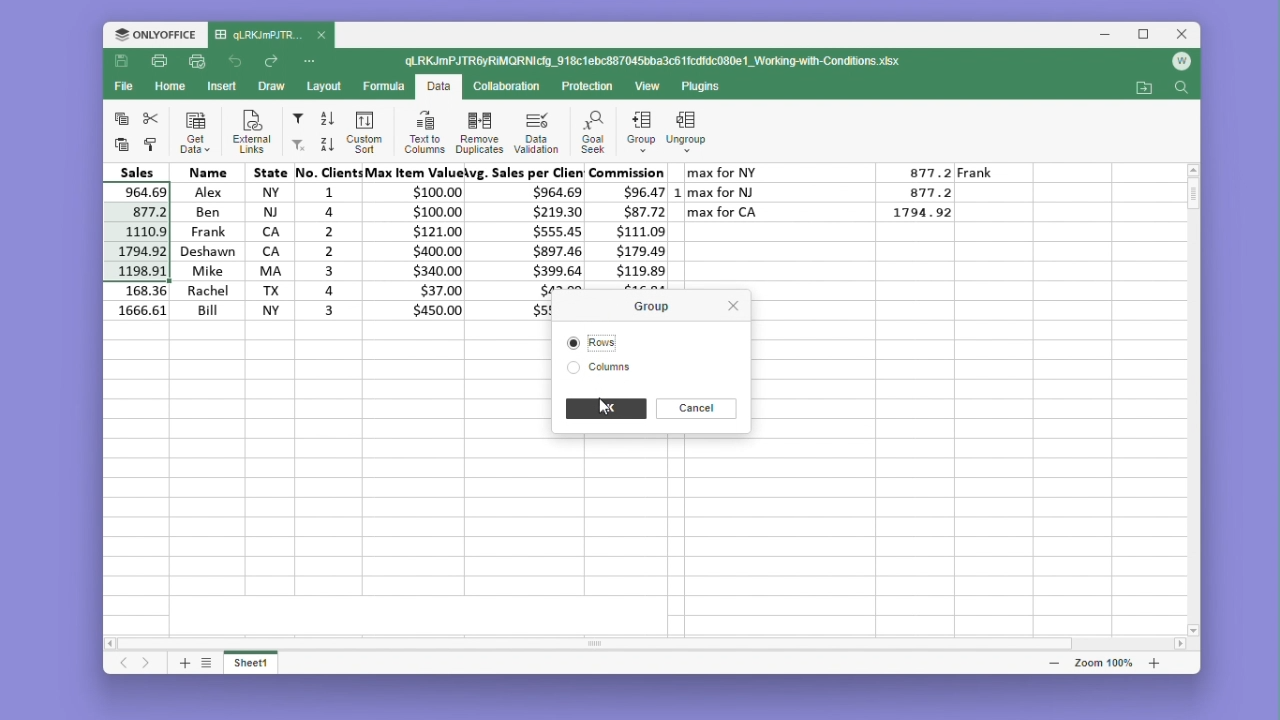 The image size is (1280, 720). What do you see at coordinates (148, 664) in the screenshot?
I see `next sheet` at bounding box center [148, 664].